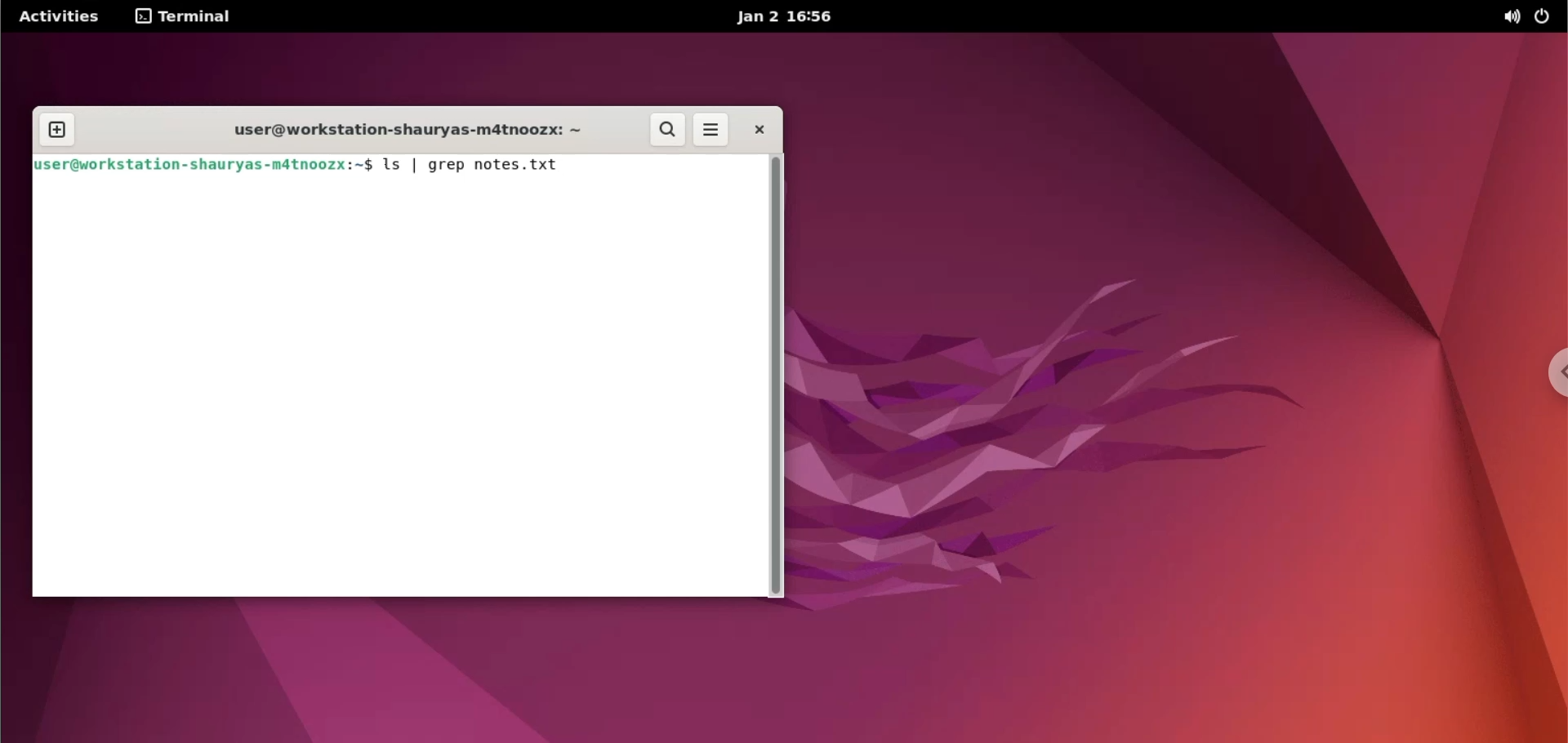 The width and height of the screenshot is (1568, 743). What do you see at coordinates (68, 16) in the screenshot?
I see `Activities` at bounding box center [68, 16].